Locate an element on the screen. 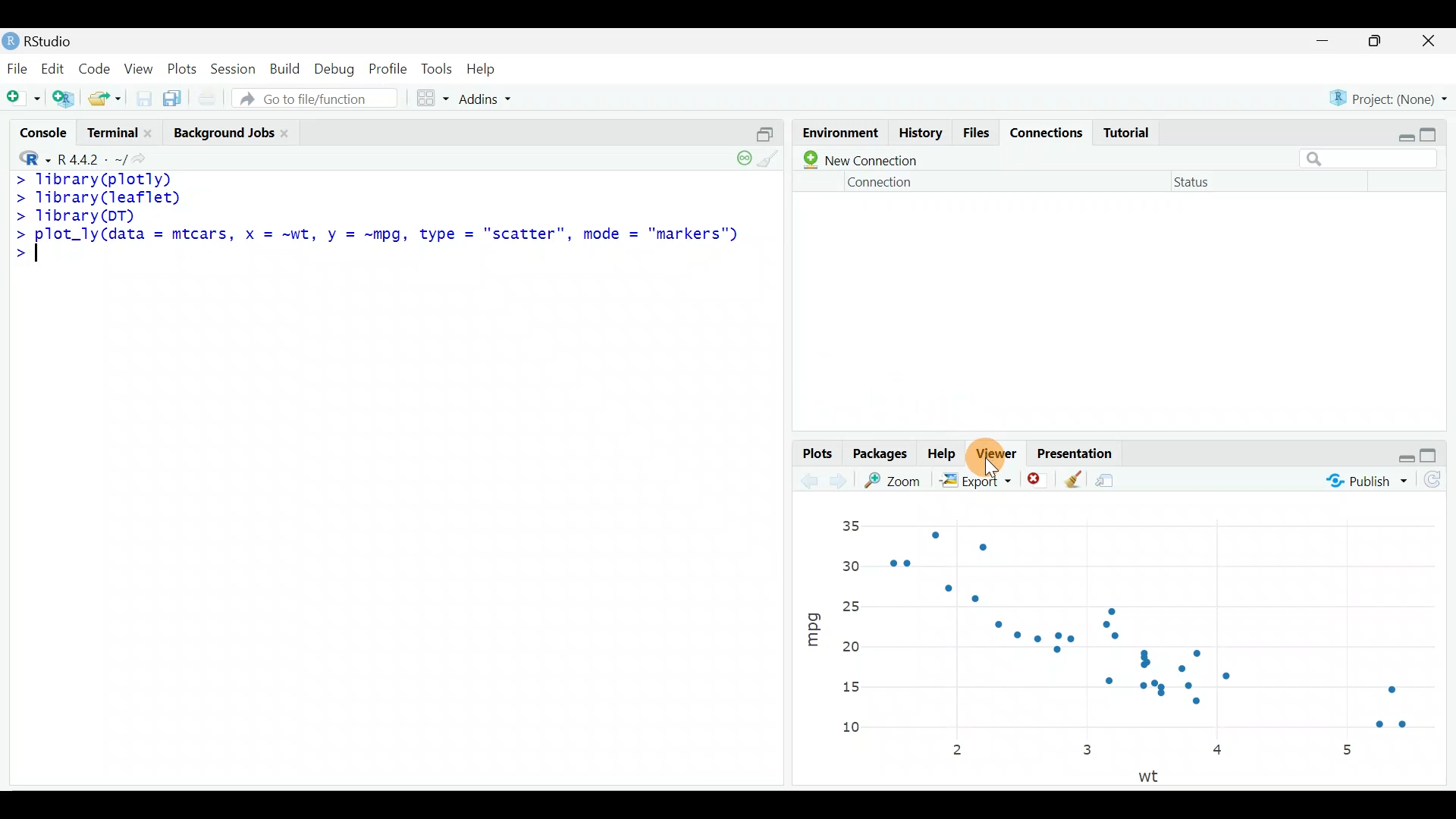 The width and height of the screenshot is (1456, 819). Go to file/function is located at coordinates (313, 99).